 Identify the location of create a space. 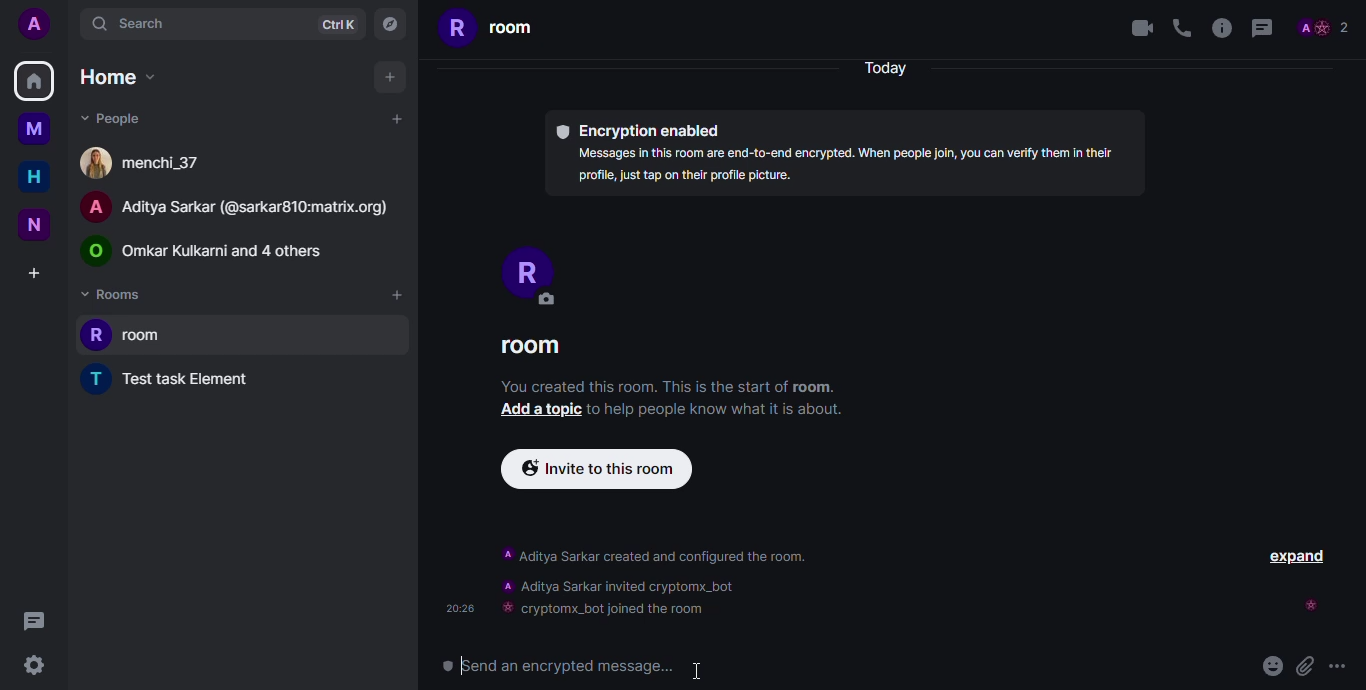
(35, 271).